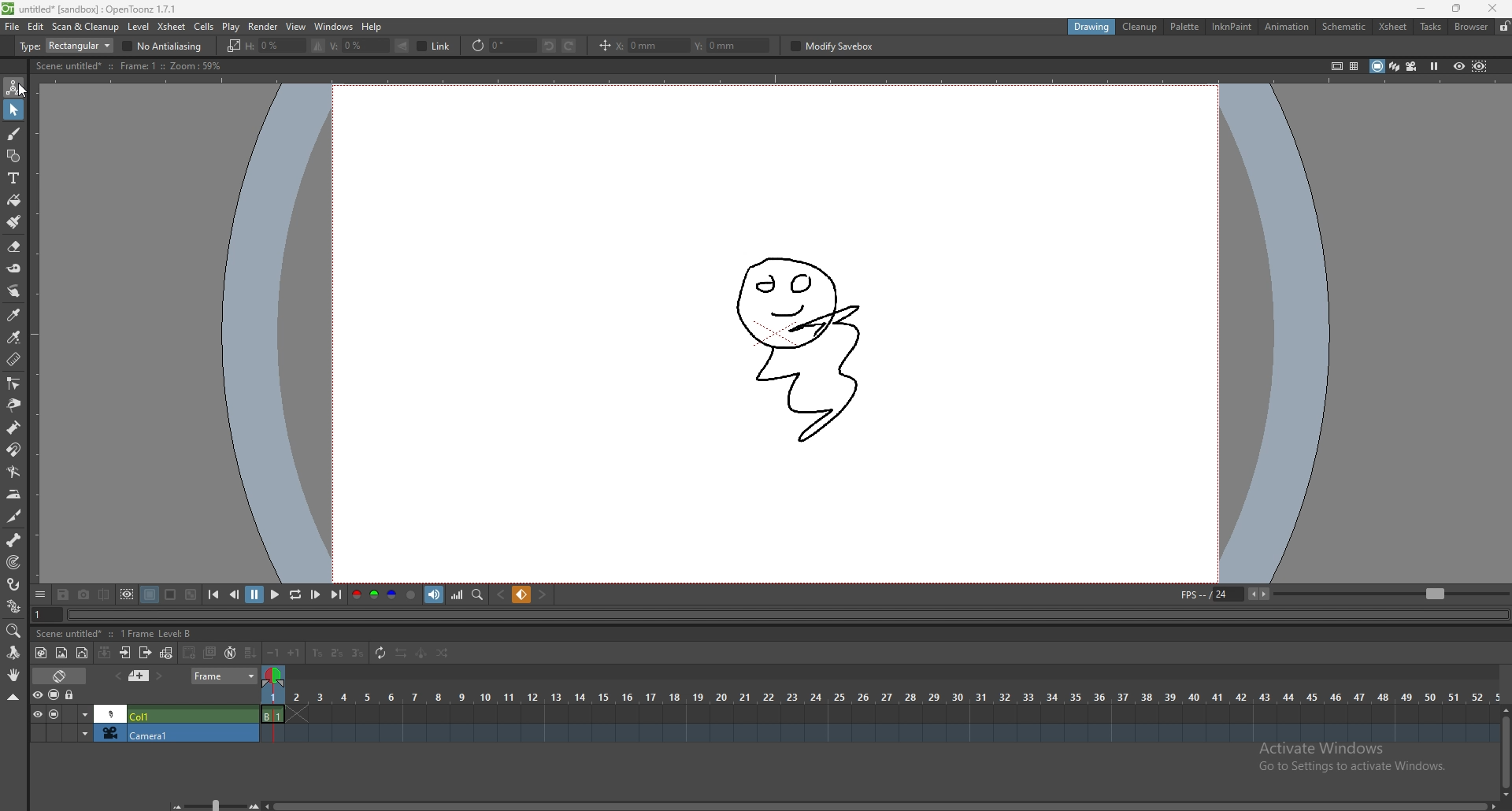 The width and height of the screenshot is (1512, 811). Describe the element at coordinates (650, 46) in the screenshot. I see `x axis` at that location.